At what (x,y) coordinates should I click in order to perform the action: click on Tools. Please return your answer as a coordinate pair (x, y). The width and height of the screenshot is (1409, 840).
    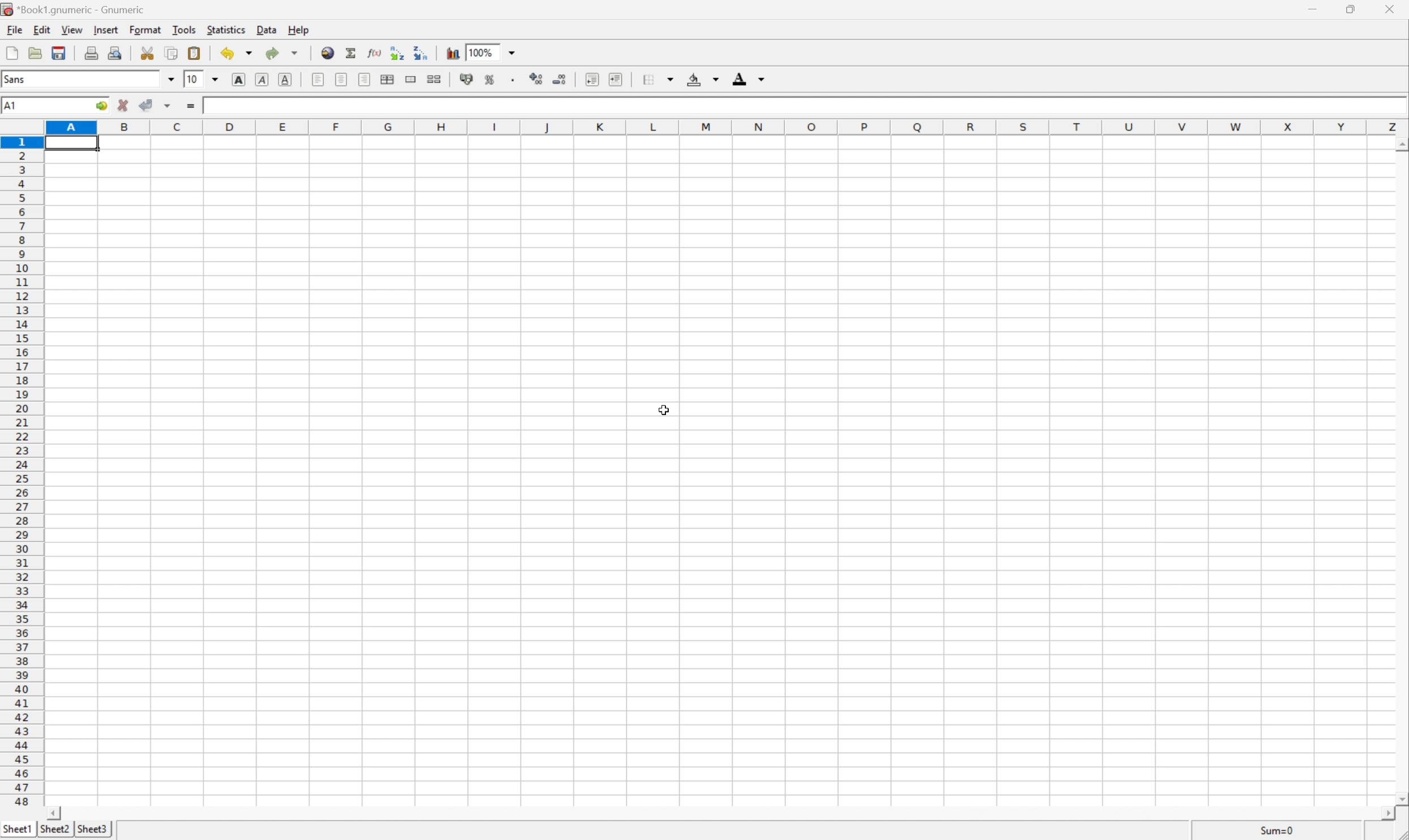
    Looking at the image, I should click on (183, 28).